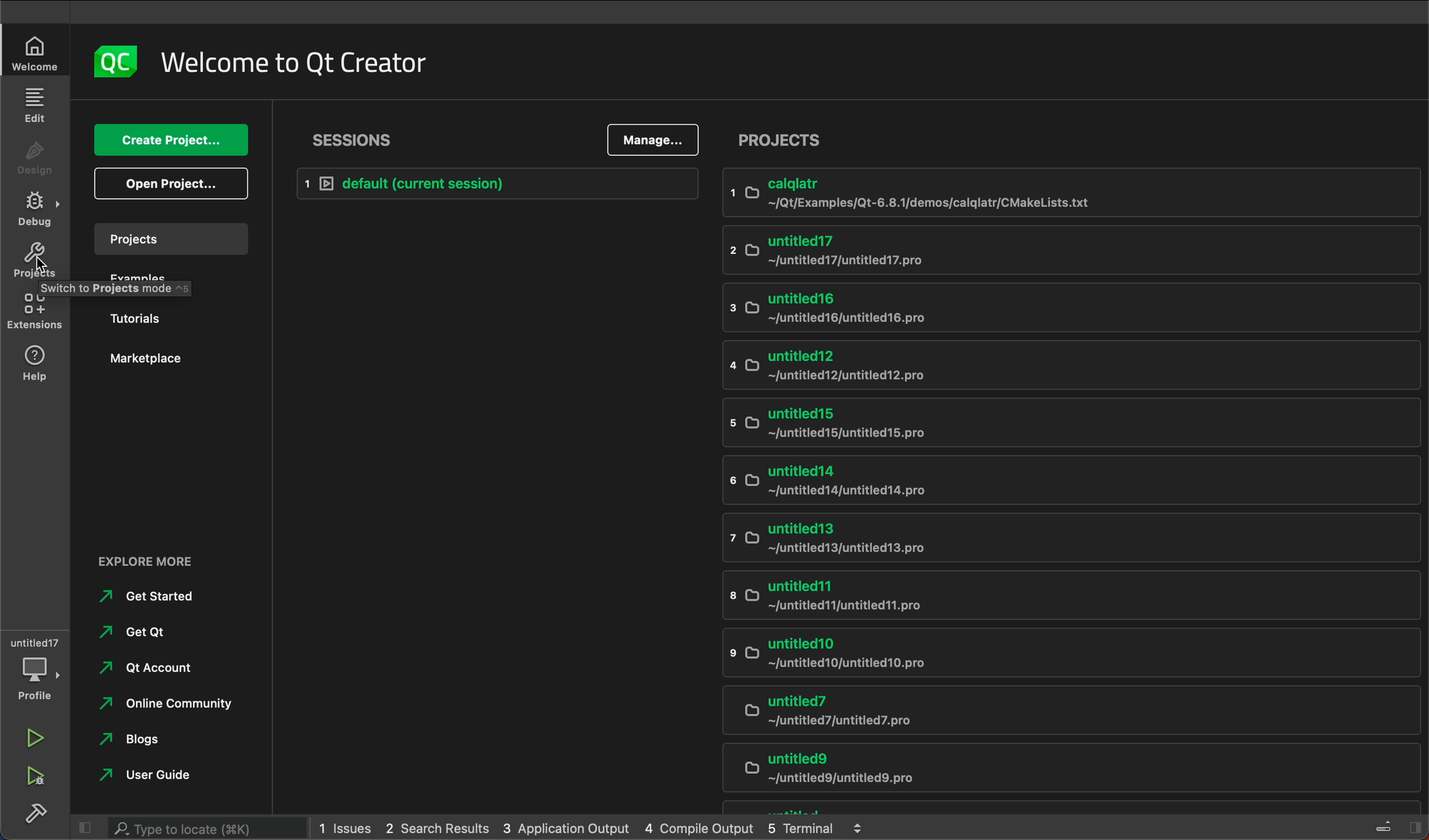 The height and width of the screenshot is (840, 1429). I want to click on explore more, so click(175, 562).